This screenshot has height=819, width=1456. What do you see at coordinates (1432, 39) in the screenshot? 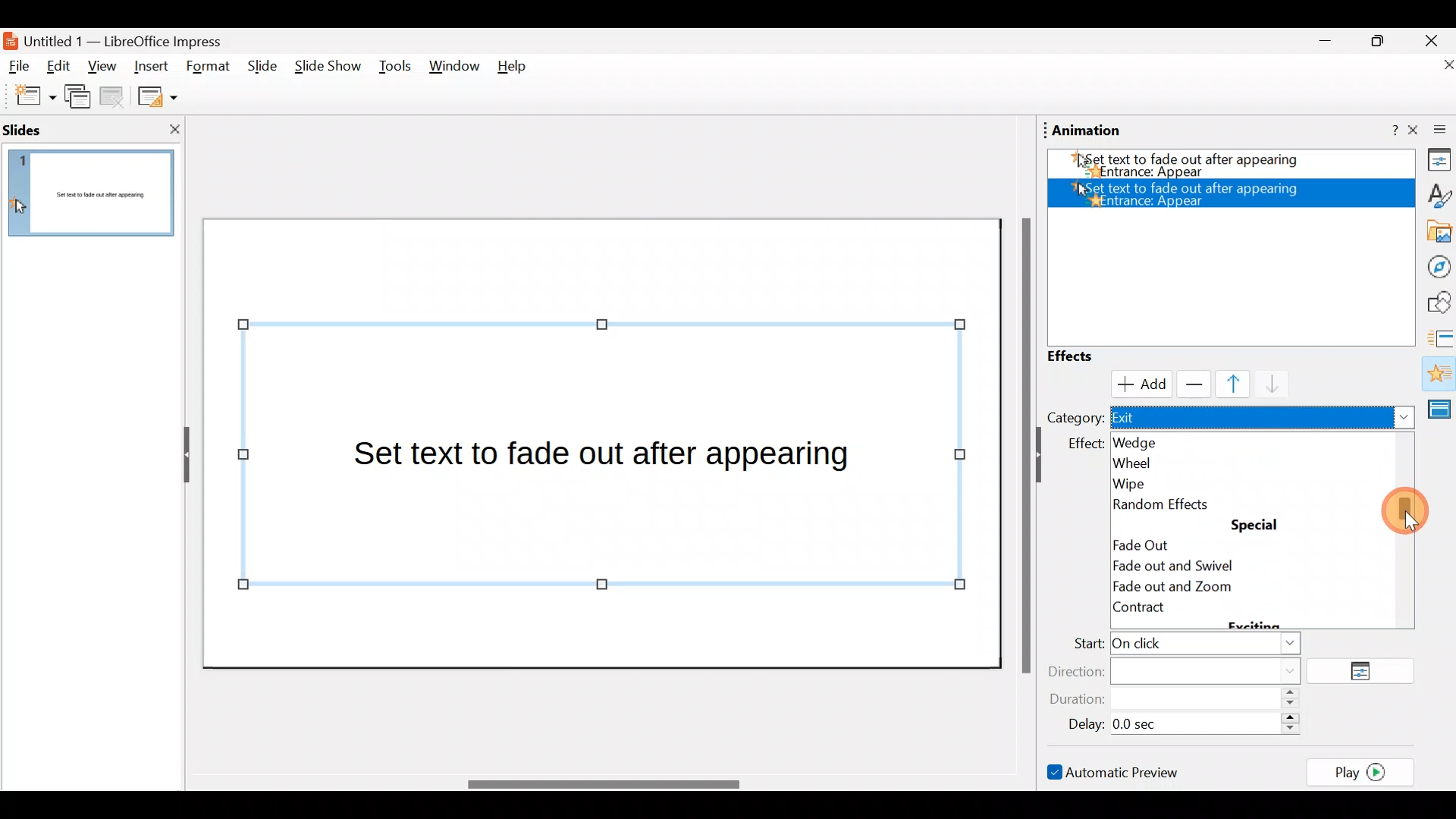
I see `Close` at bounding box center [1432, 39].